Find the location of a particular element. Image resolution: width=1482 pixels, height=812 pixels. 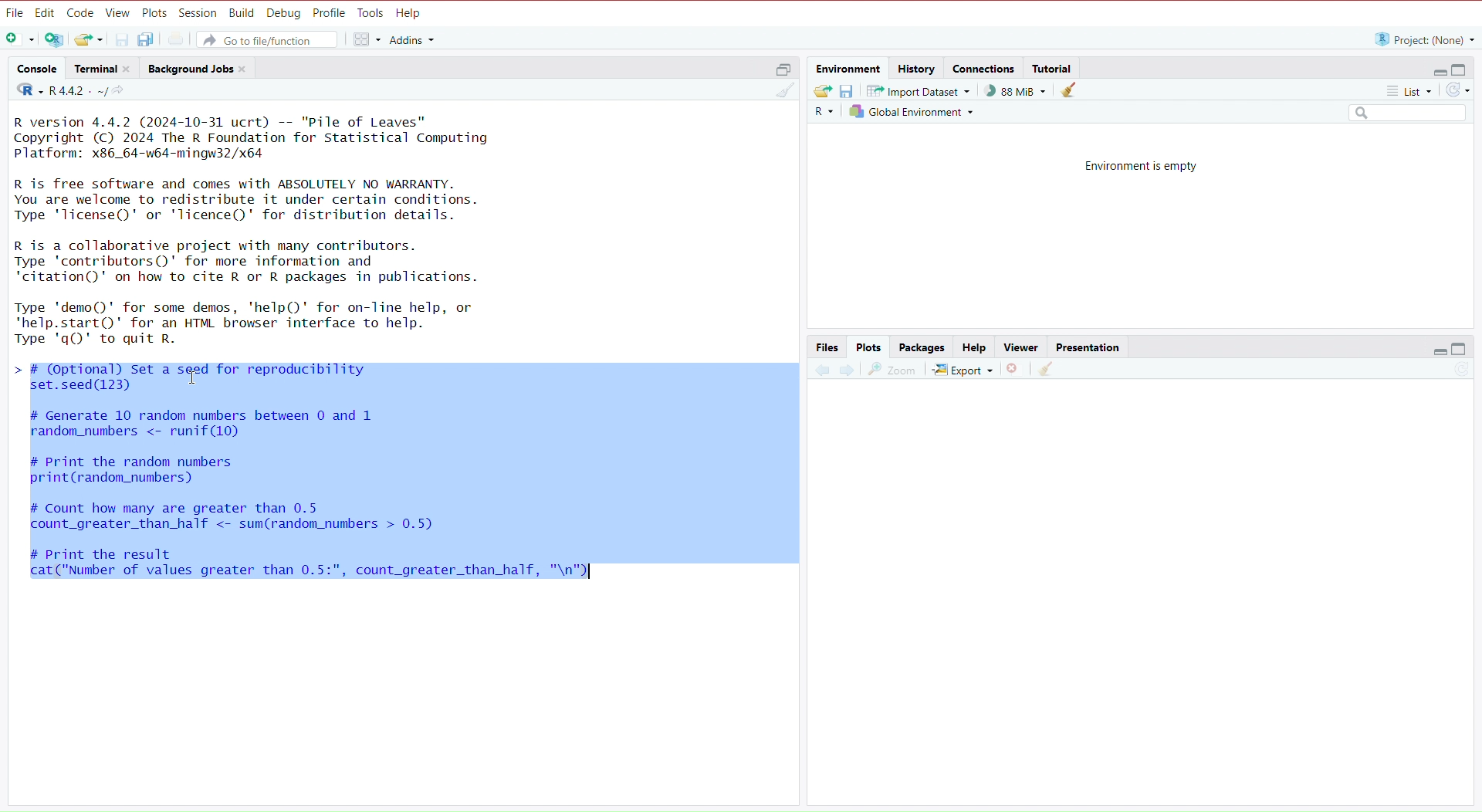

Open new project is located at coordinates (52, 40).